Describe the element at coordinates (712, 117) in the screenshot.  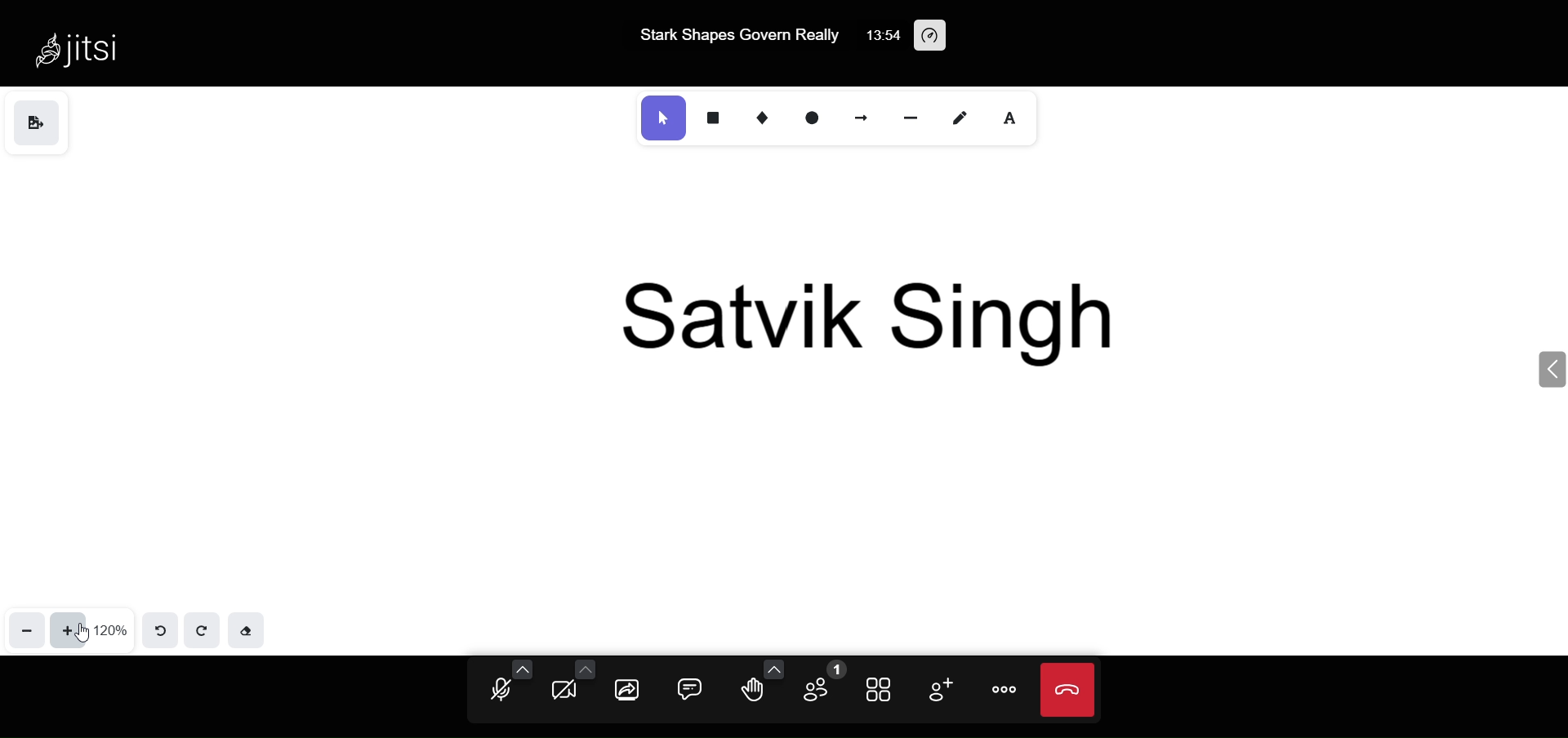
I see `rectangle` at that location.